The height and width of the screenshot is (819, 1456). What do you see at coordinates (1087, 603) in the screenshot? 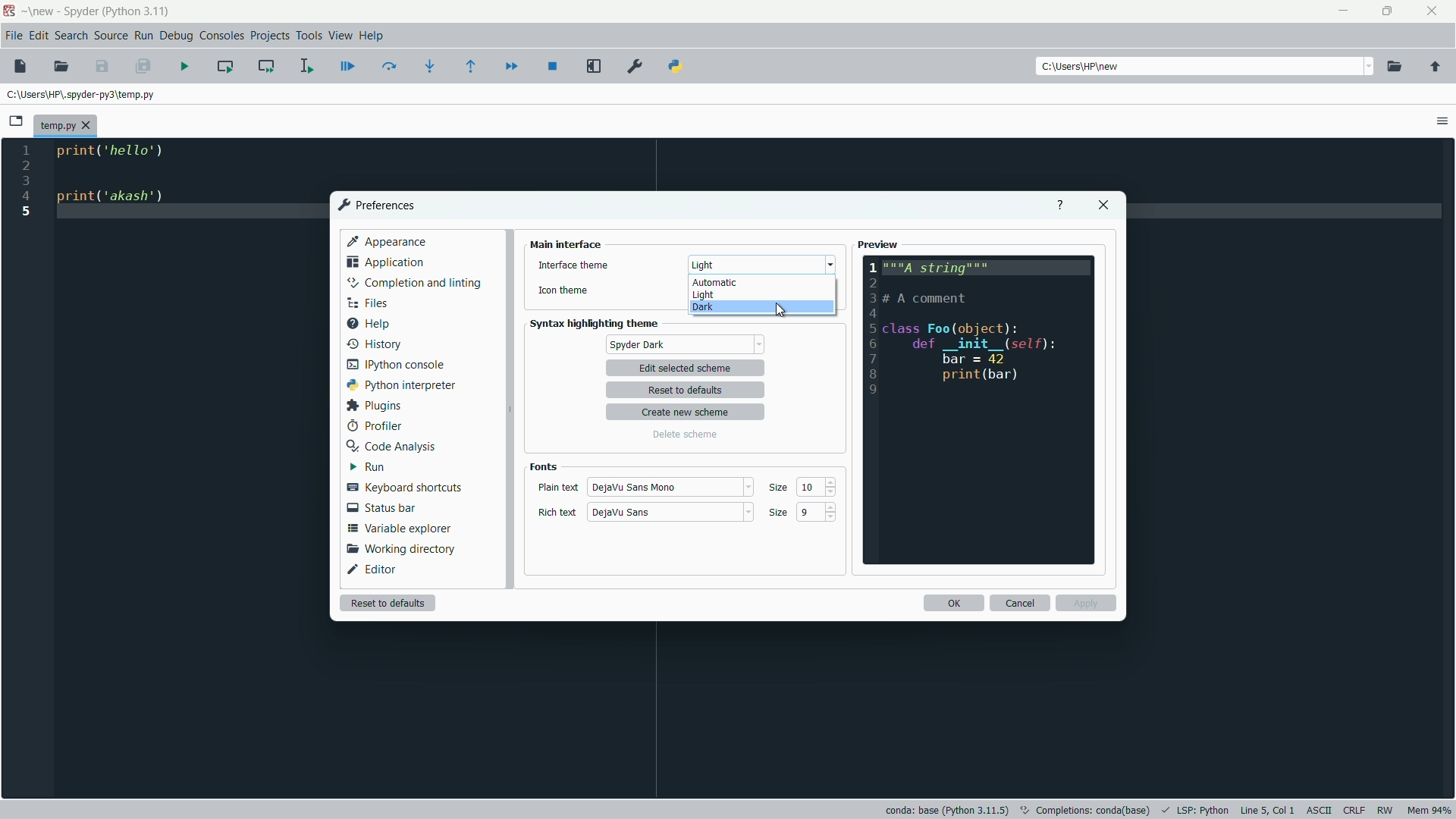
I see `apply` at bounding box center [1087, 603].